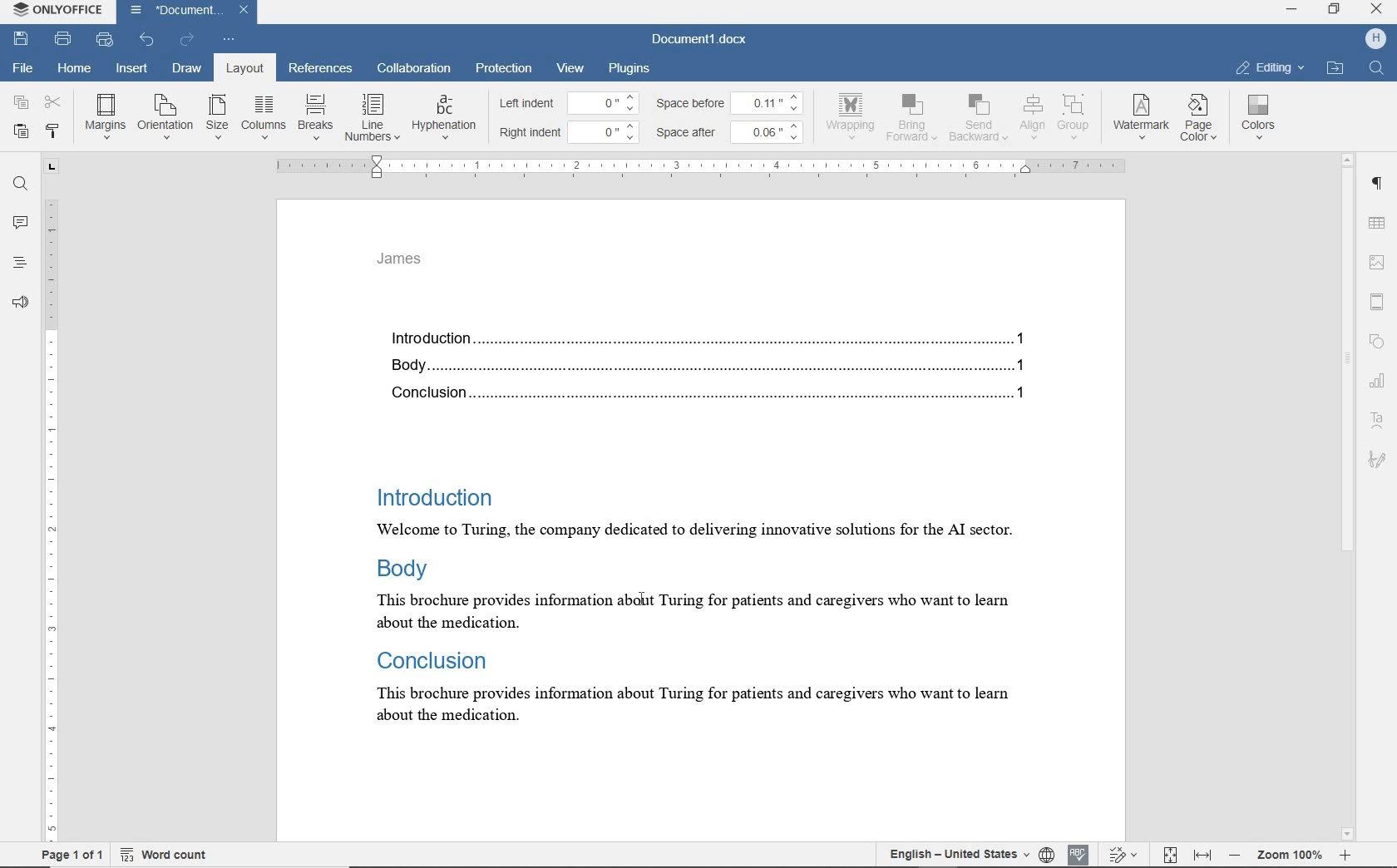 The width and height of the screenshot is (1397, 868). I want to click on group, so click(1074, 116).